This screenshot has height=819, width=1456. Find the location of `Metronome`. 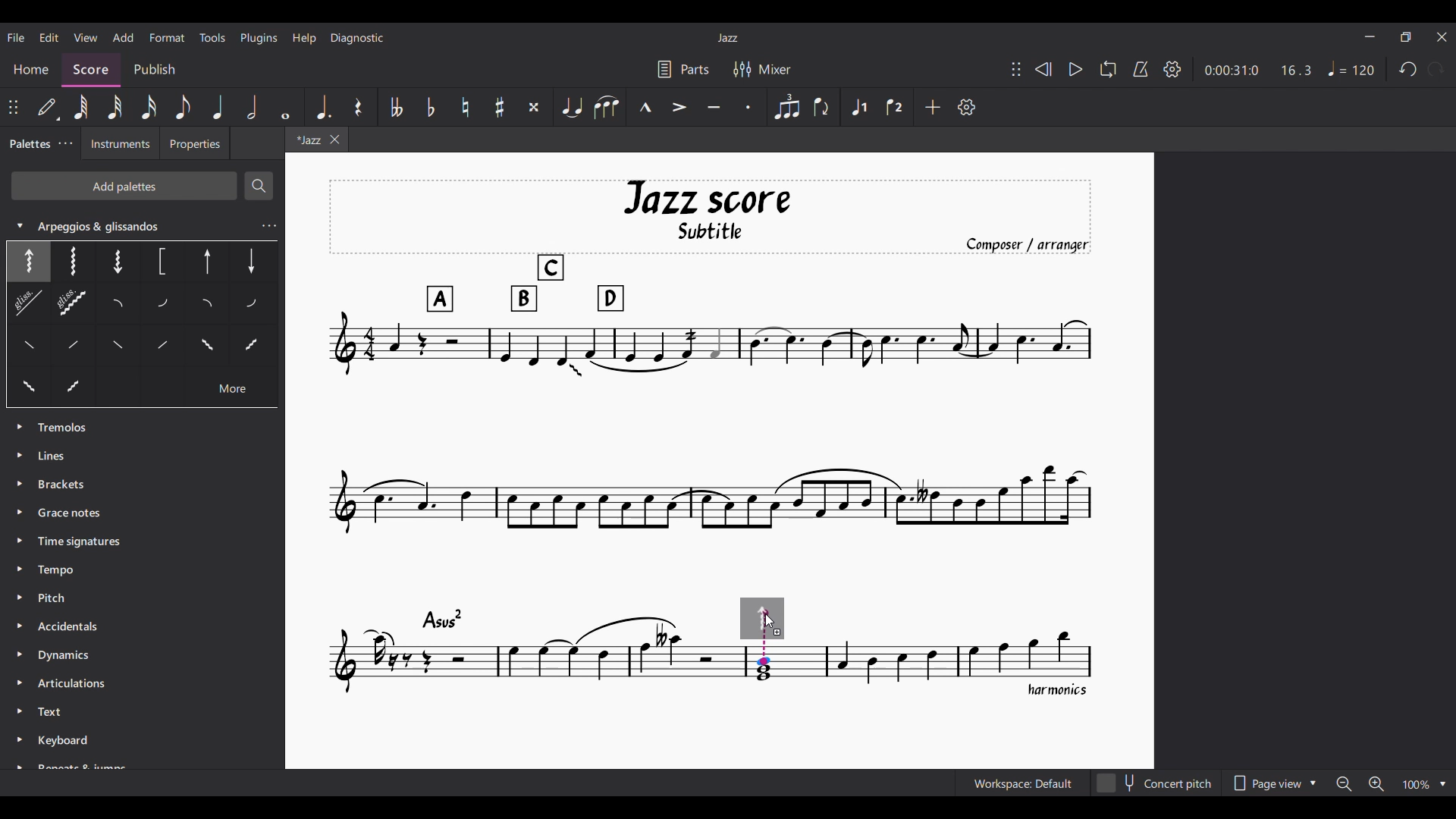

Metronome is located at coordinates (1141, 69).